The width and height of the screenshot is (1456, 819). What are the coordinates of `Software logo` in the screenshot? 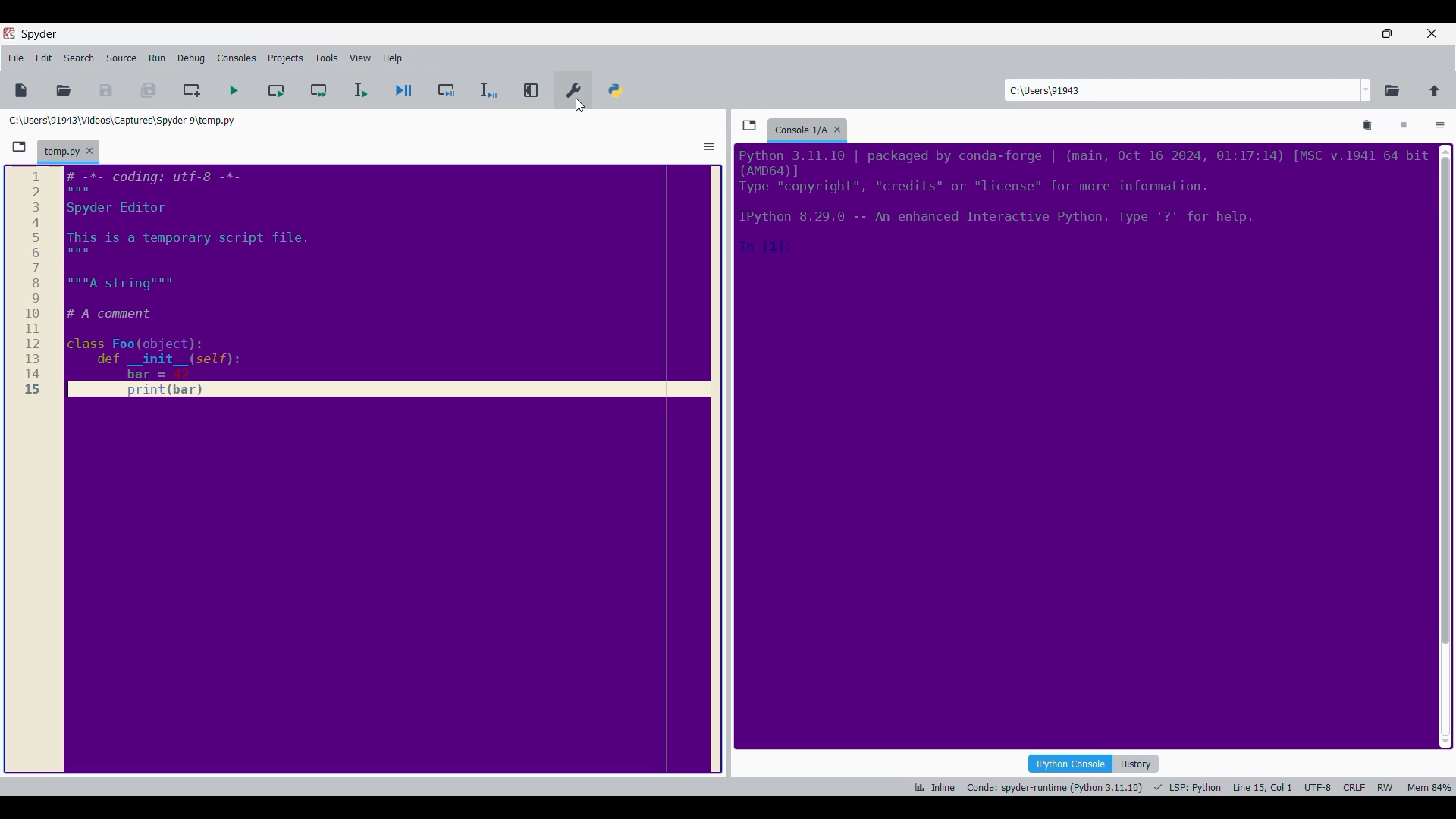 It's located at (10, 33).